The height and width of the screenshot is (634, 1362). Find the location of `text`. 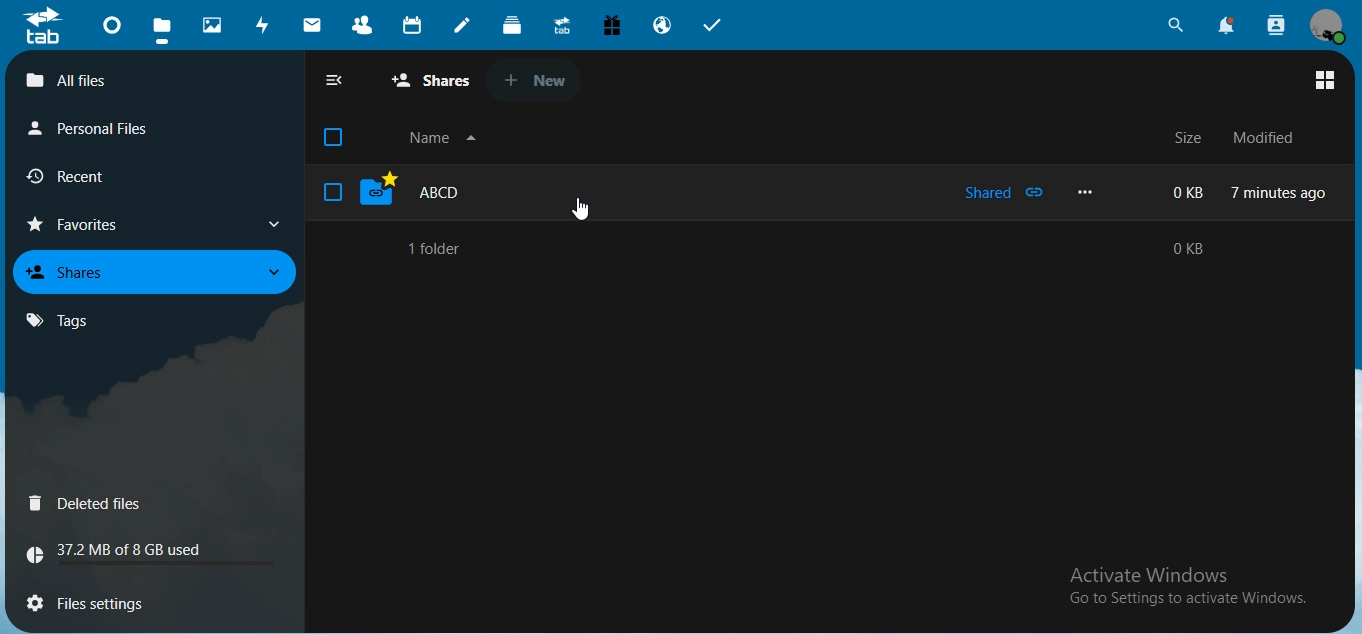

text is located at coordinates (125, 553).